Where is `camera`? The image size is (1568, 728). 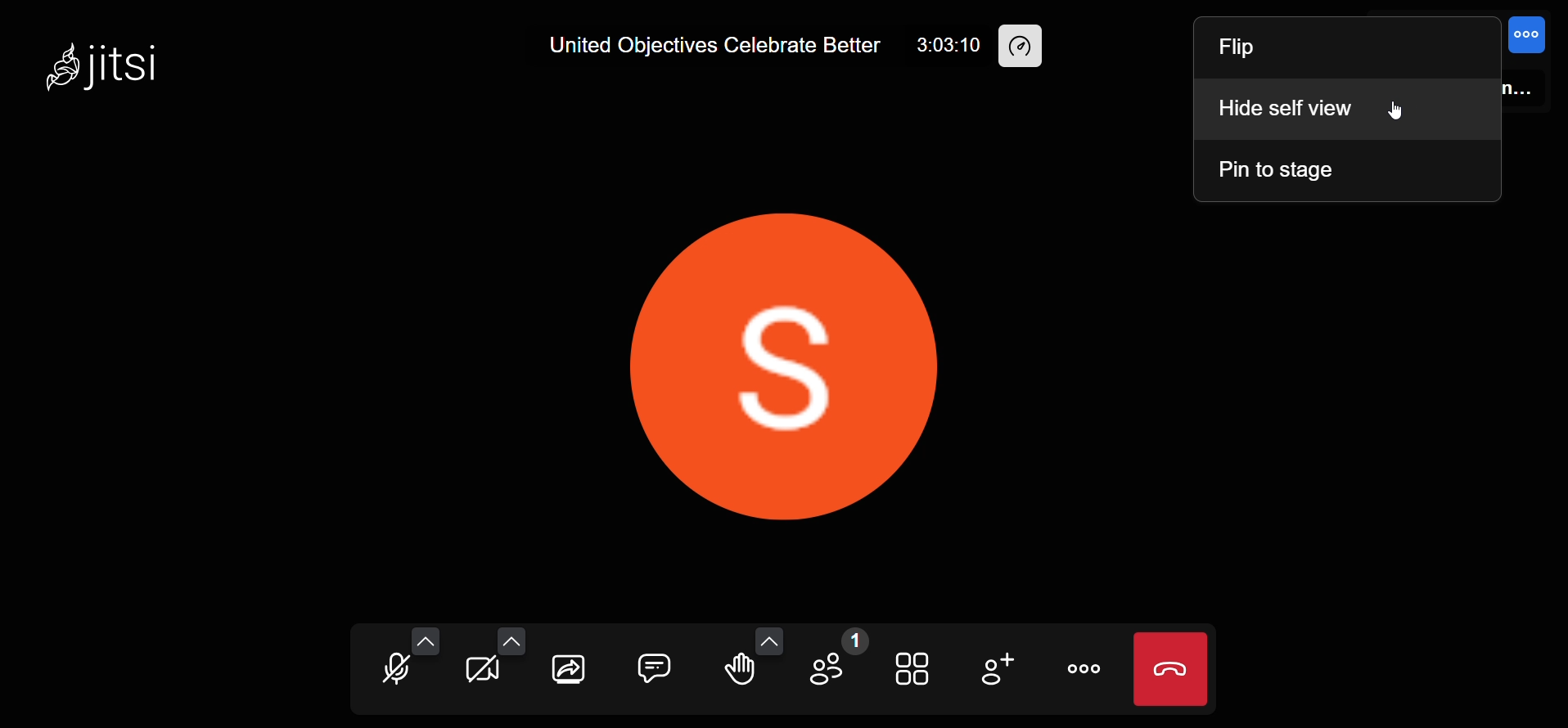 camera is located at coordinates (483, 672).